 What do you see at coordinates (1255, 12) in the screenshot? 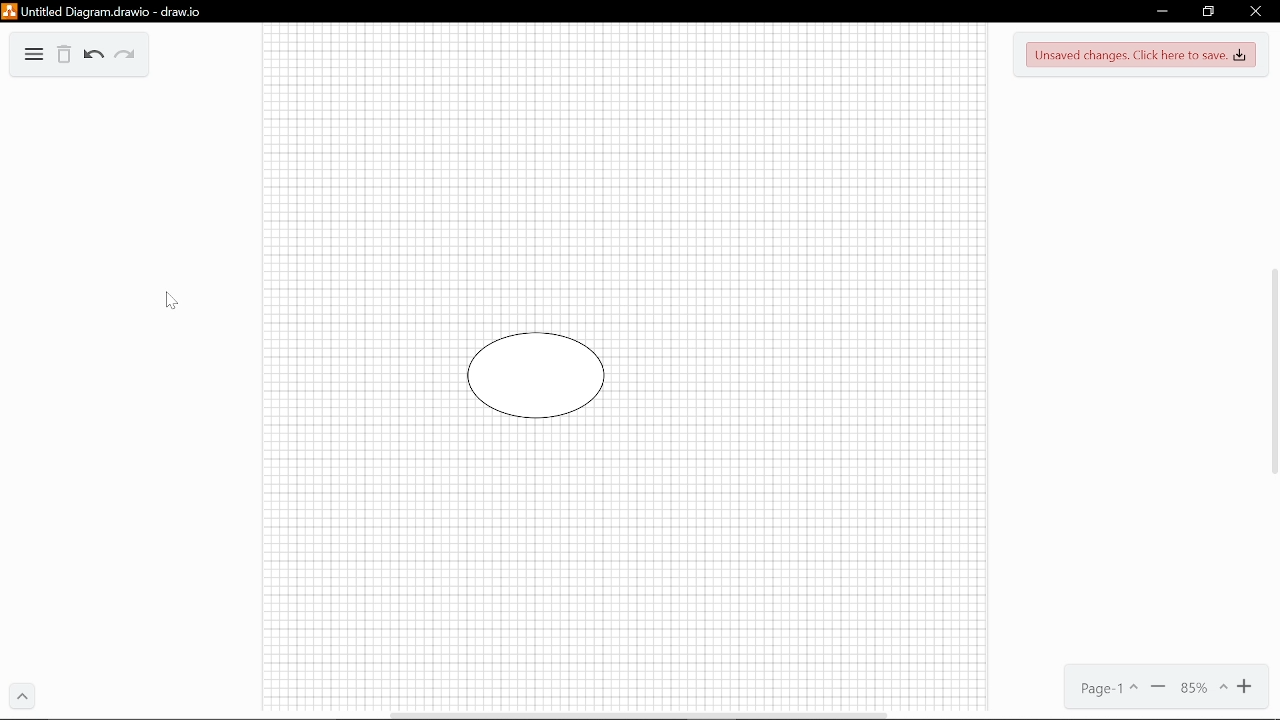
I see `Close` at bounding box center [1255, 12].